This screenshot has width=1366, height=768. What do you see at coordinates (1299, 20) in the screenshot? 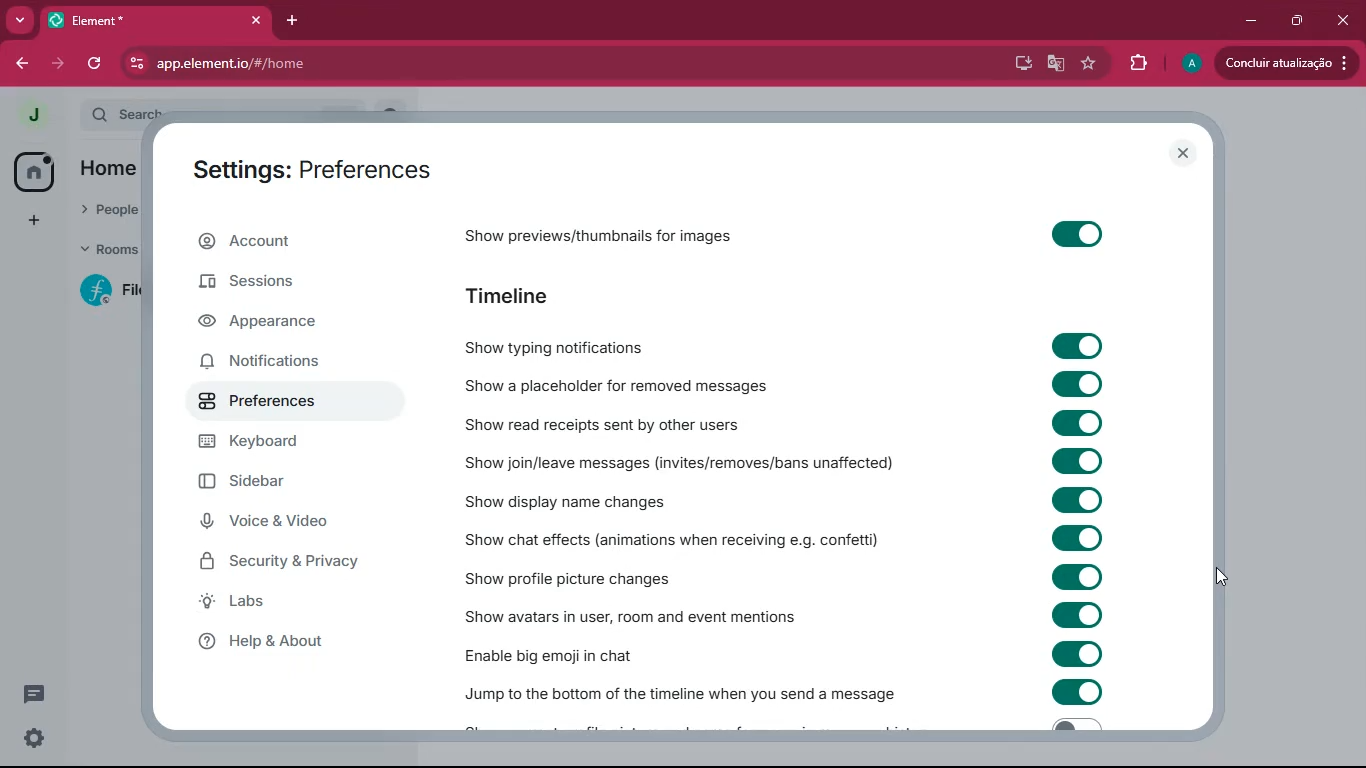
I see `restore down ` at bounding box center [1299, 20].